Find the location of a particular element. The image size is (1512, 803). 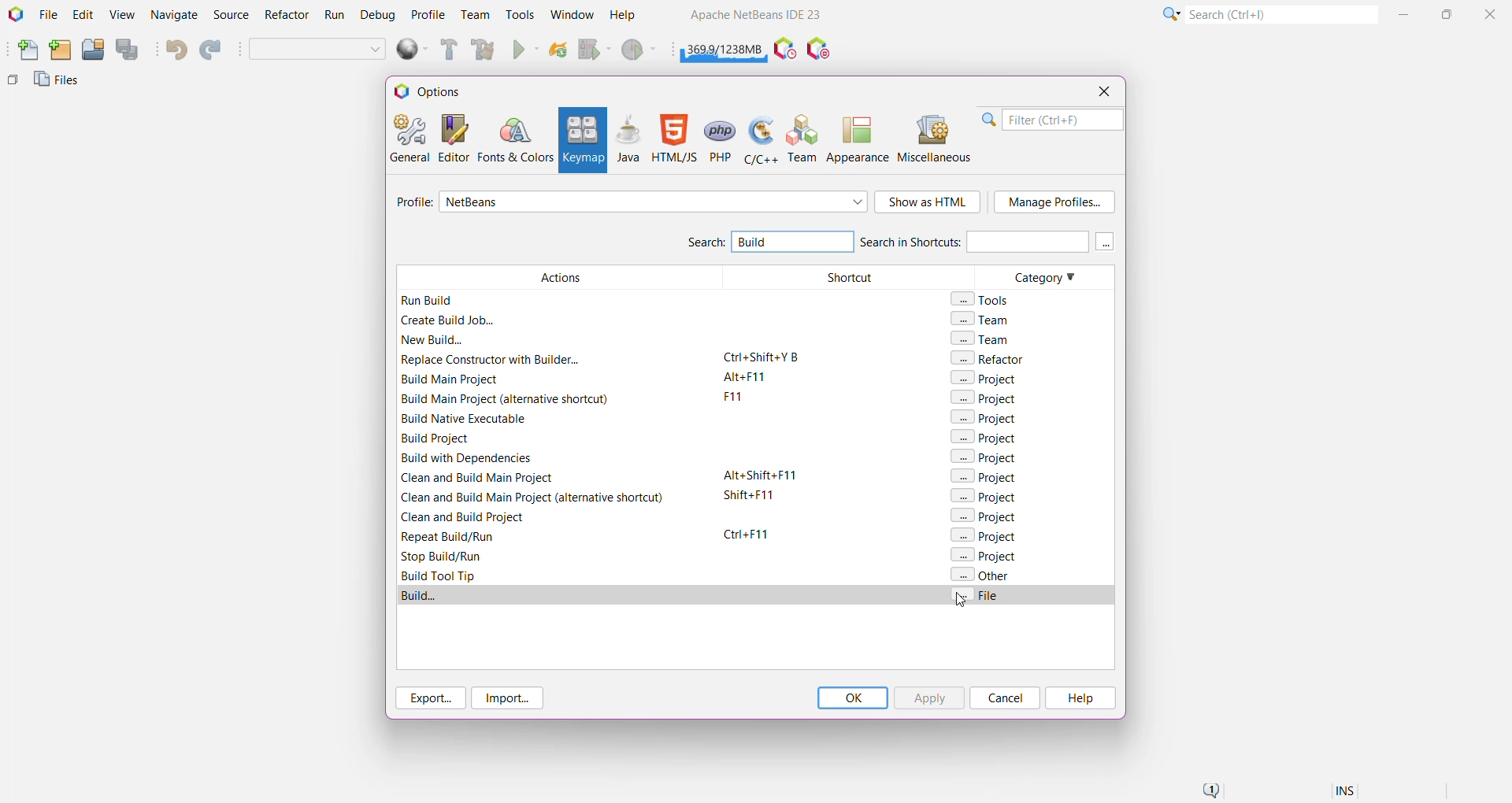

Appearance is located at coordinates (858, 139).